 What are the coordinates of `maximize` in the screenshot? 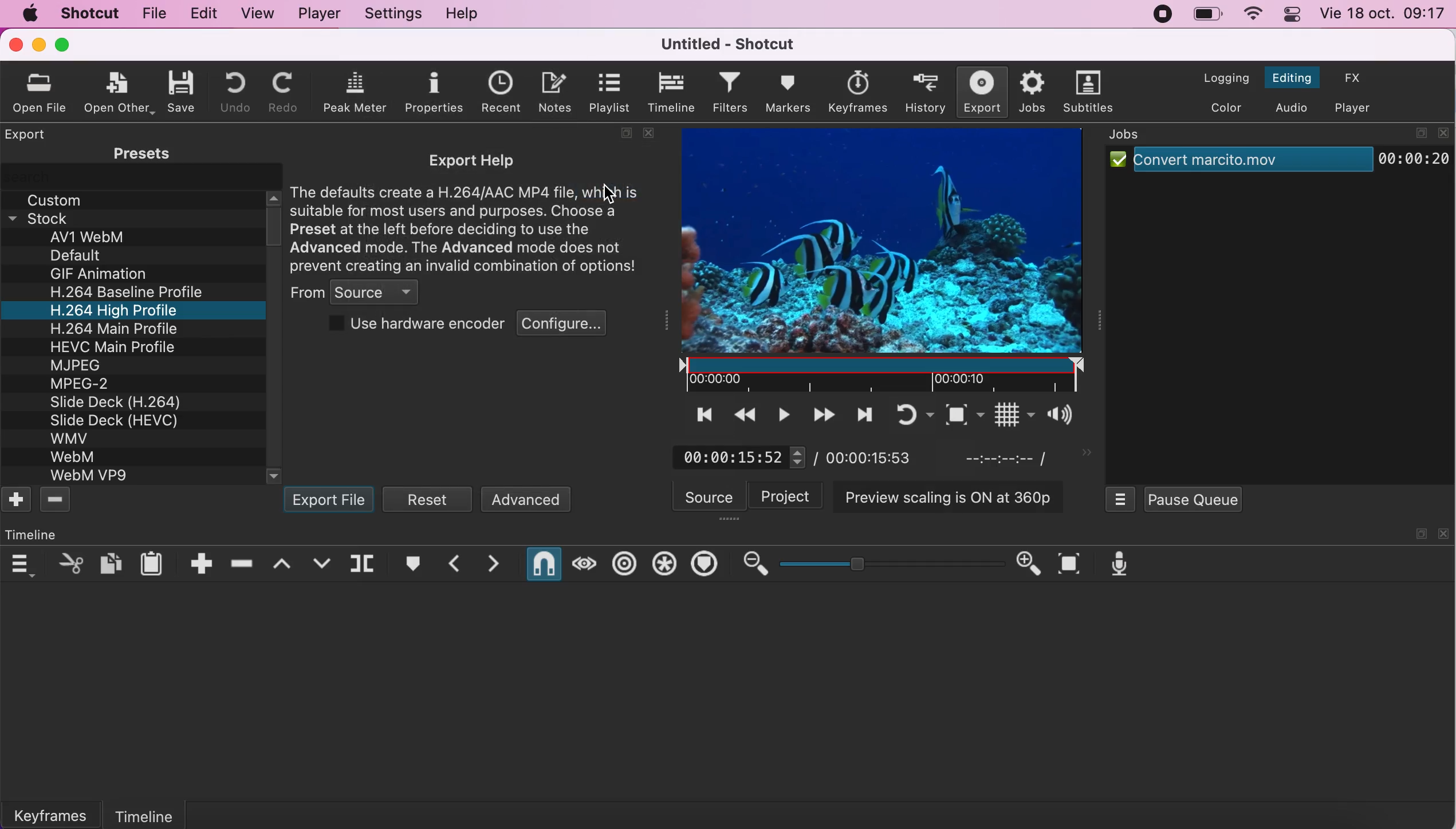 It's located at (1419, 132).